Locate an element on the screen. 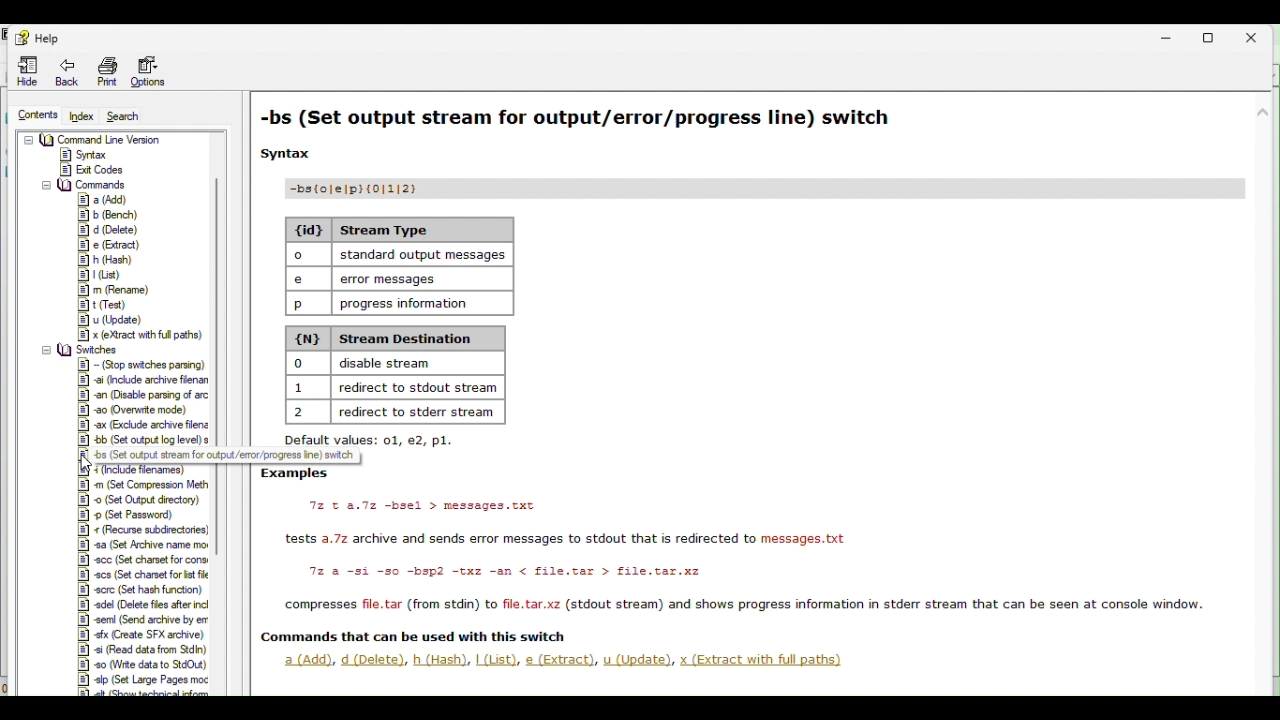 The height and width of the screenshot is (720, 1280).  is located at coordinates (416, 636).